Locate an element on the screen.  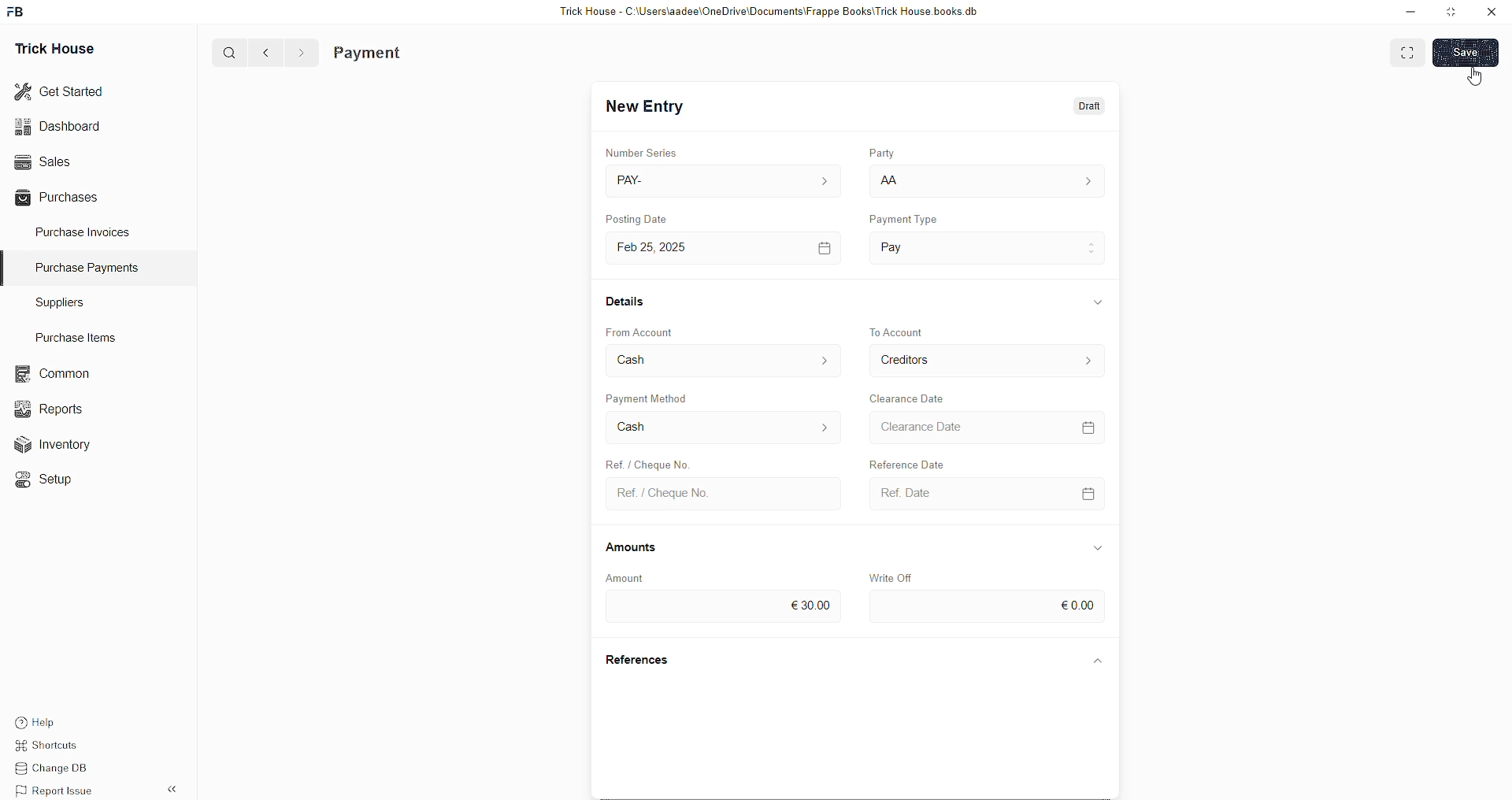
calendar is located at coordinates (821, 245).